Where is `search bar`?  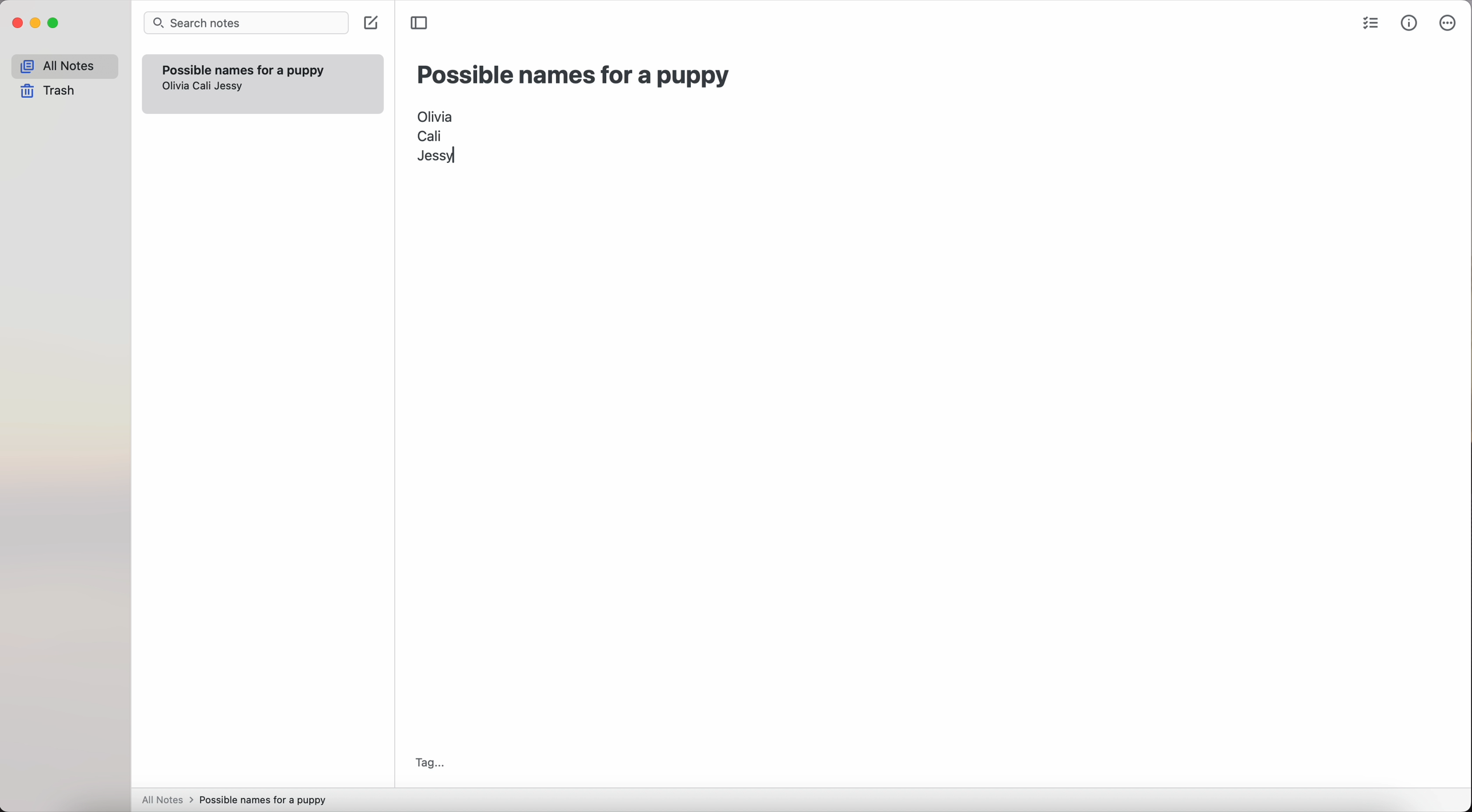 search bar is located at coordinates (246, 24).